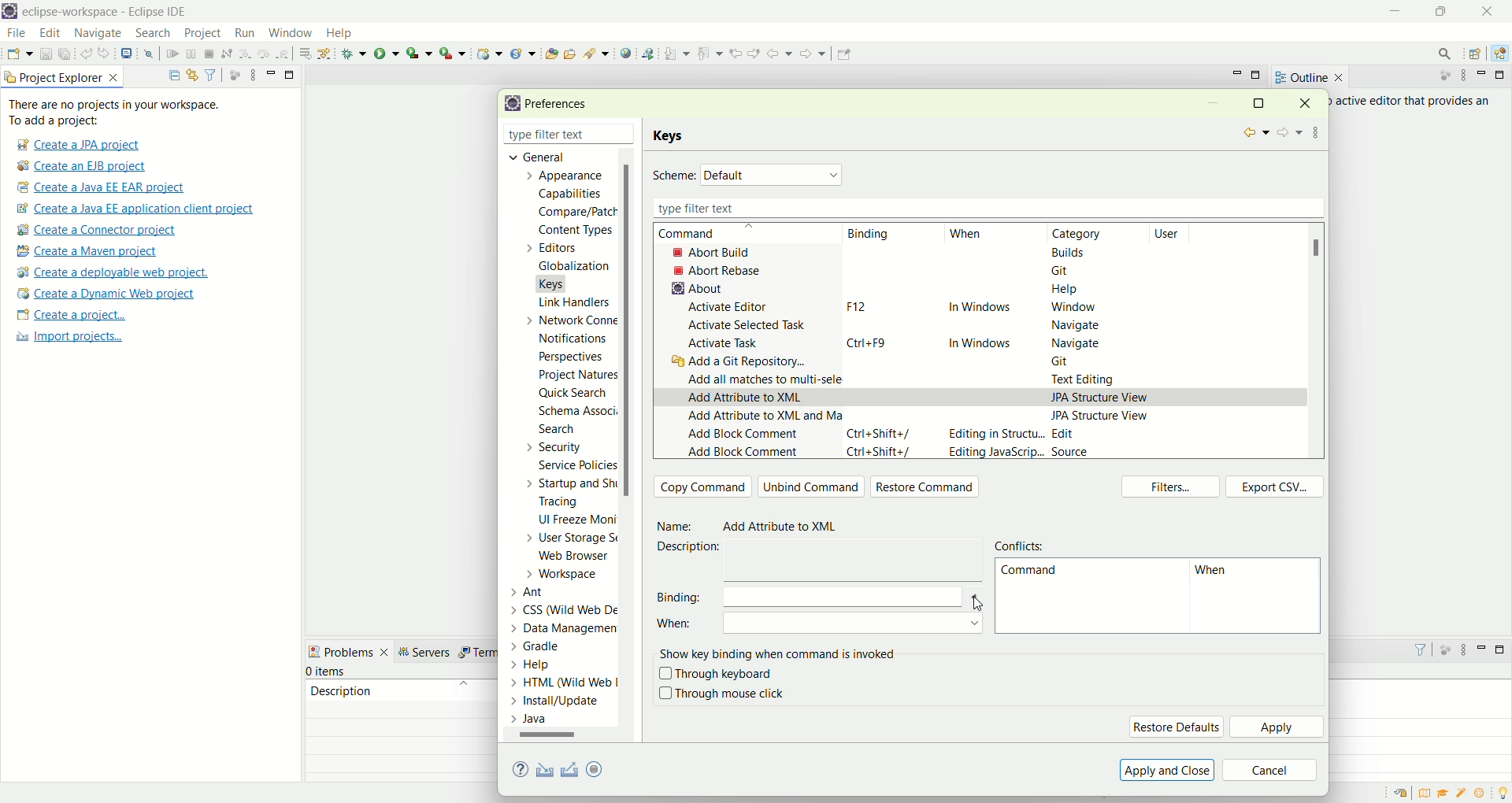 The height and width of the screenshot is (803, 1512). Describe the element at coordinates (632, 446) in the screenshot. I see `scroll bar` at that location.